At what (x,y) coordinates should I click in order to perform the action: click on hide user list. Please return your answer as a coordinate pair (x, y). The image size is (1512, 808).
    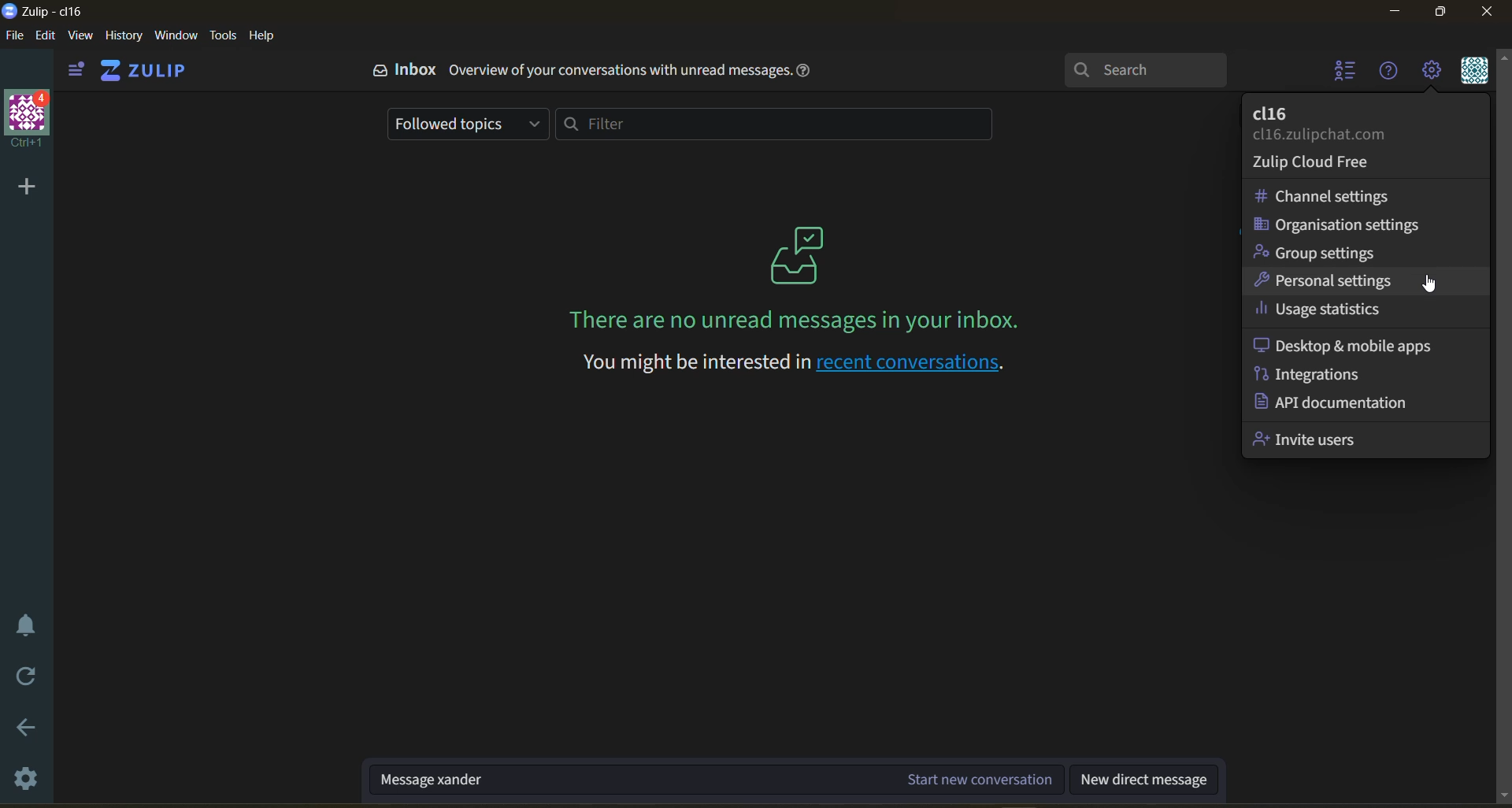
    Looking at the image, I should click on (1342, 73).